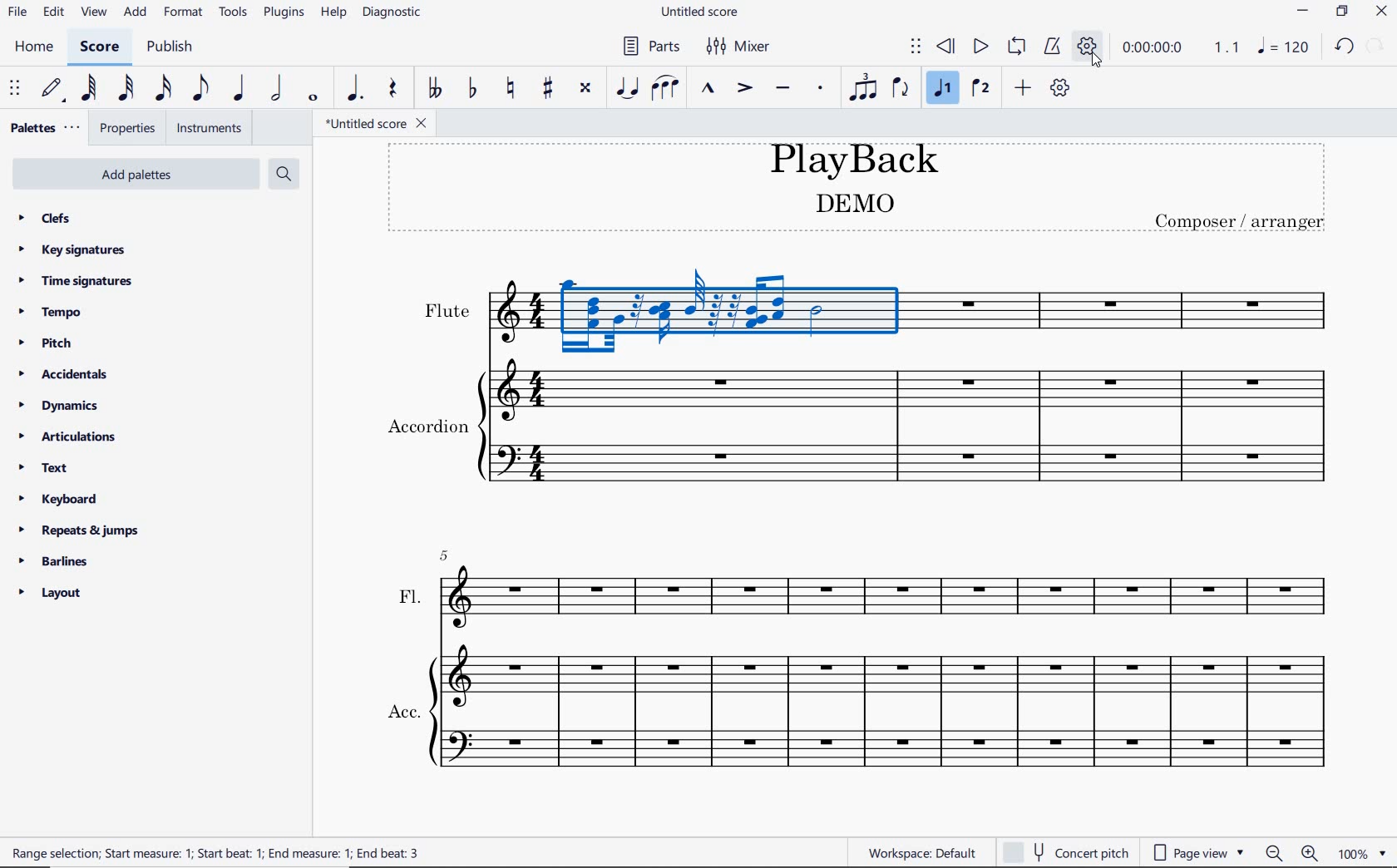 The width and height of the screenshot is (1397, 868). I want to click on toggle double-sharp, so click(585, 88).